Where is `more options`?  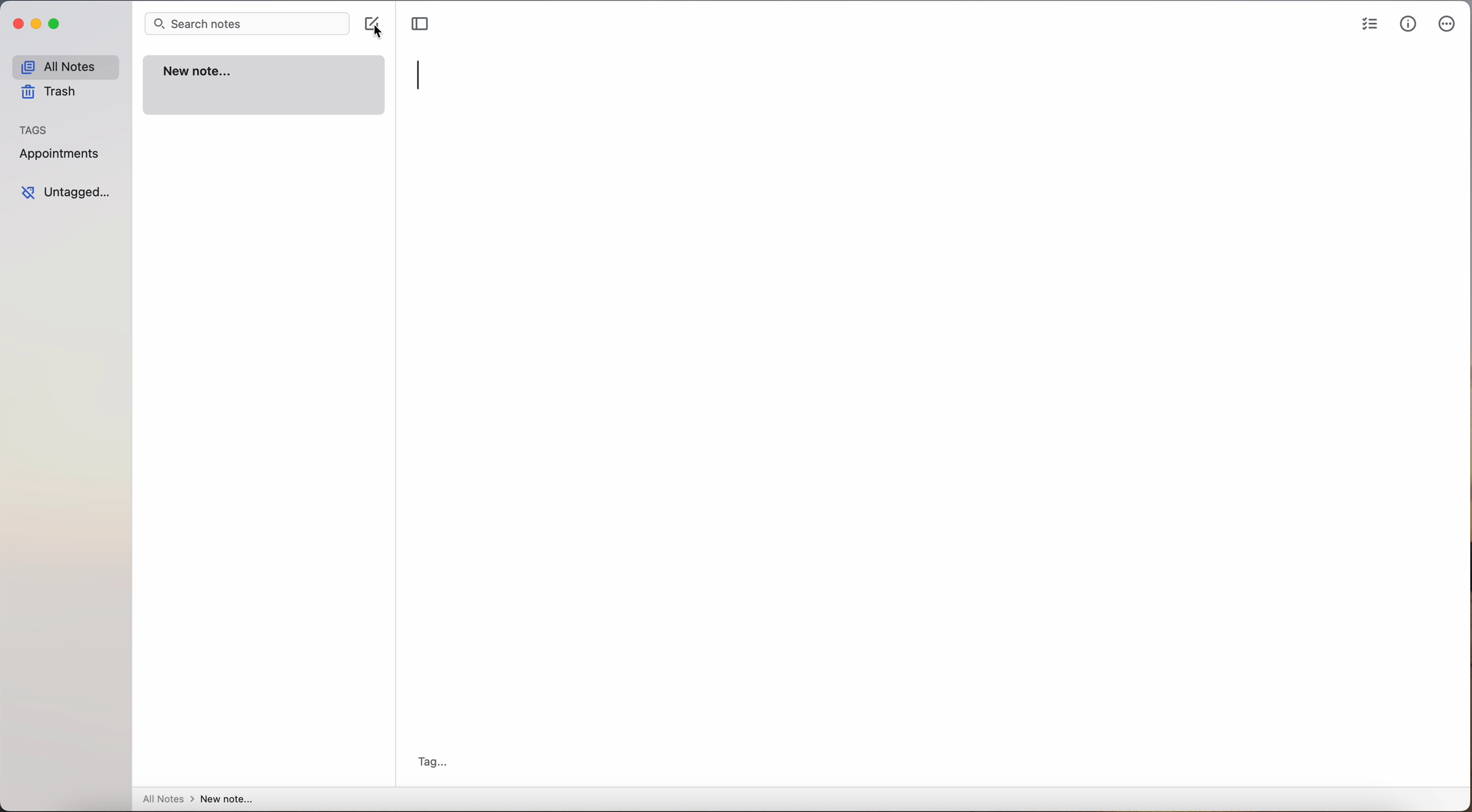
more options is located at coordinates (1448, 25).